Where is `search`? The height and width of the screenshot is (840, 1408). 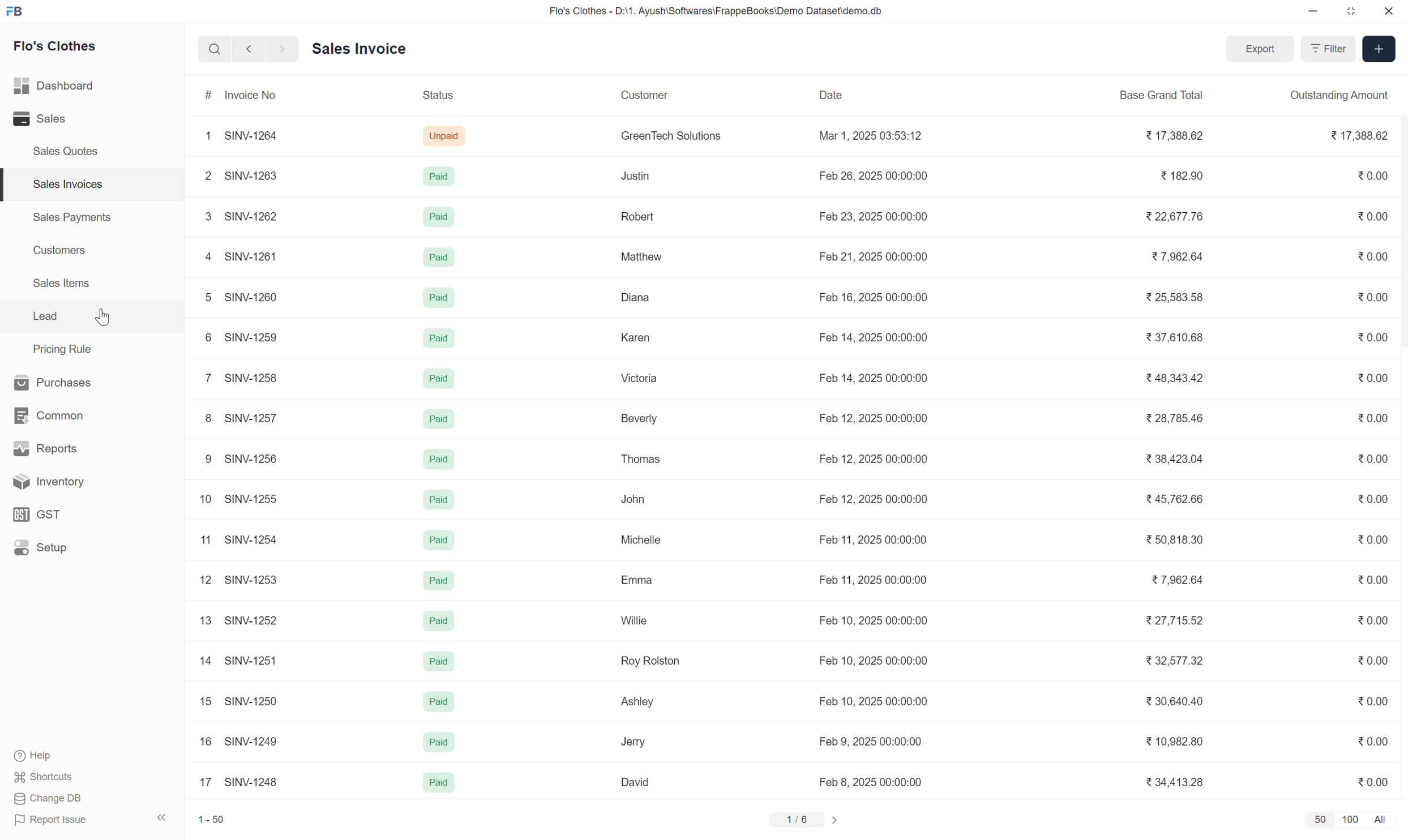 search is located at coordinates (213, 48).